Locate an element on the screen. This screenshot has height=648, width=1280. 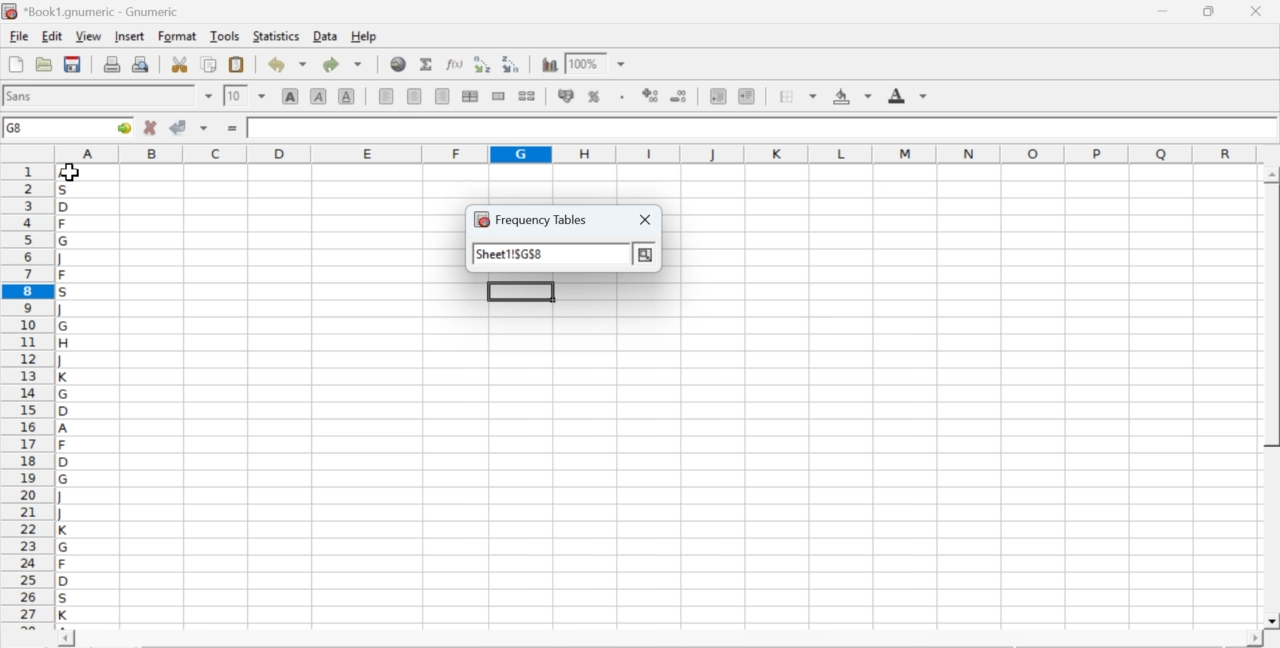
merge a range of cells is located at coordinates (499, 96).